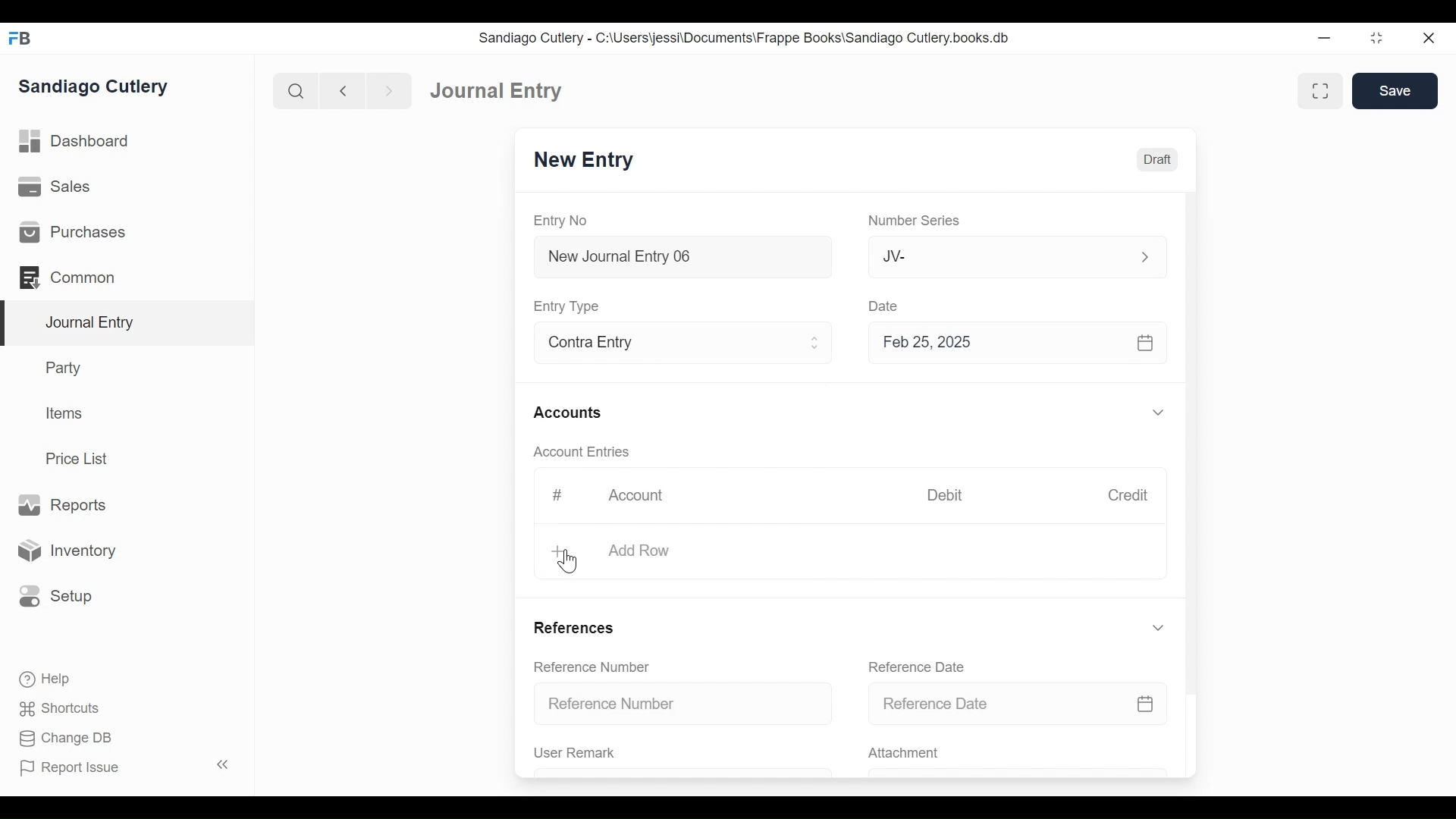 This screenshot has height=819, width=1456. I want to click on Price List, so click(82, 459).